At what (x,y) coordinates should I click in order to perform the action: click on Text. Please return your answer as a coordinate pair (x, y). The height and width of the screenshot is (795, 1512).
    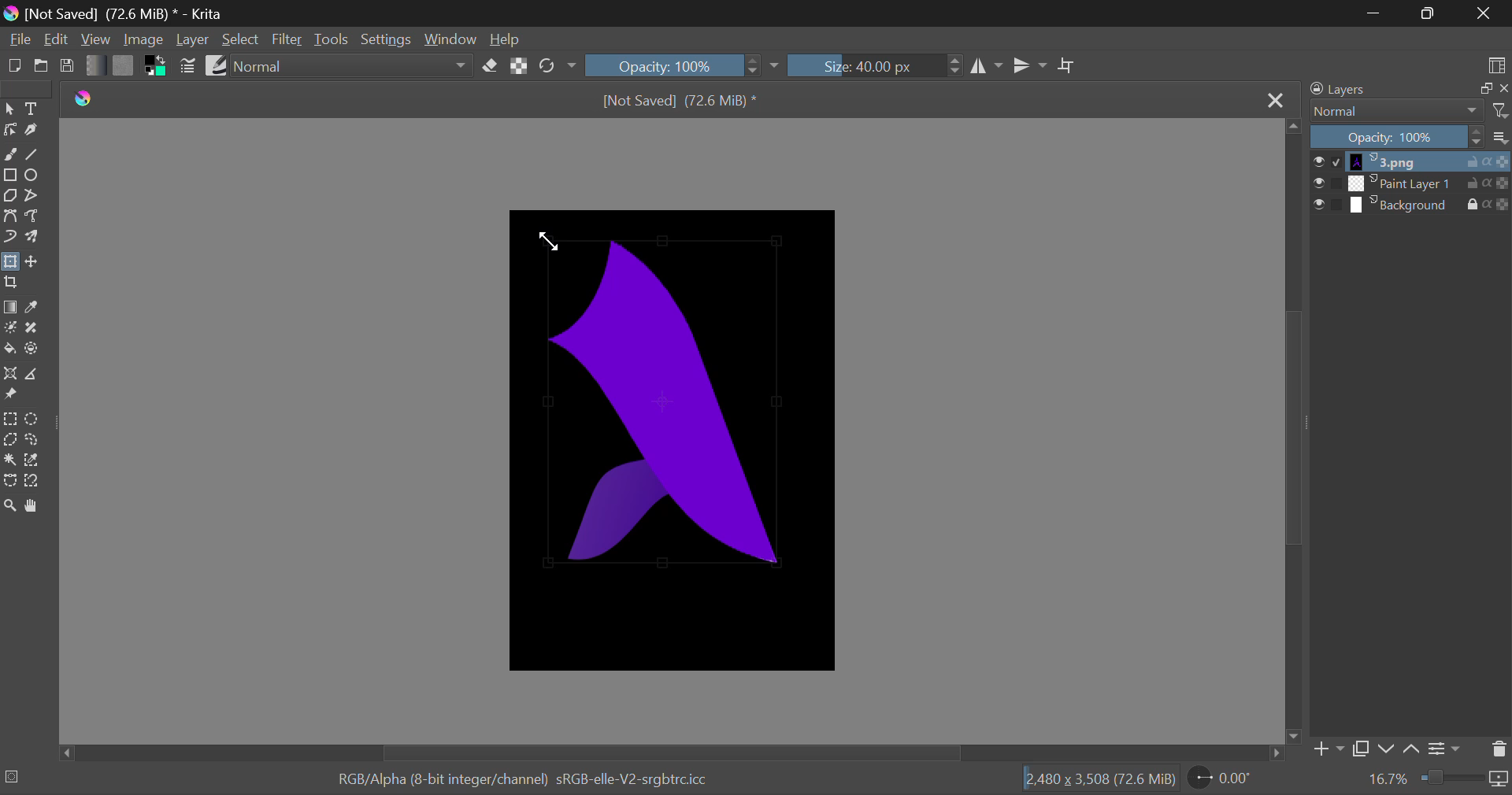
    Looking at the image, I should click on (32, 109).